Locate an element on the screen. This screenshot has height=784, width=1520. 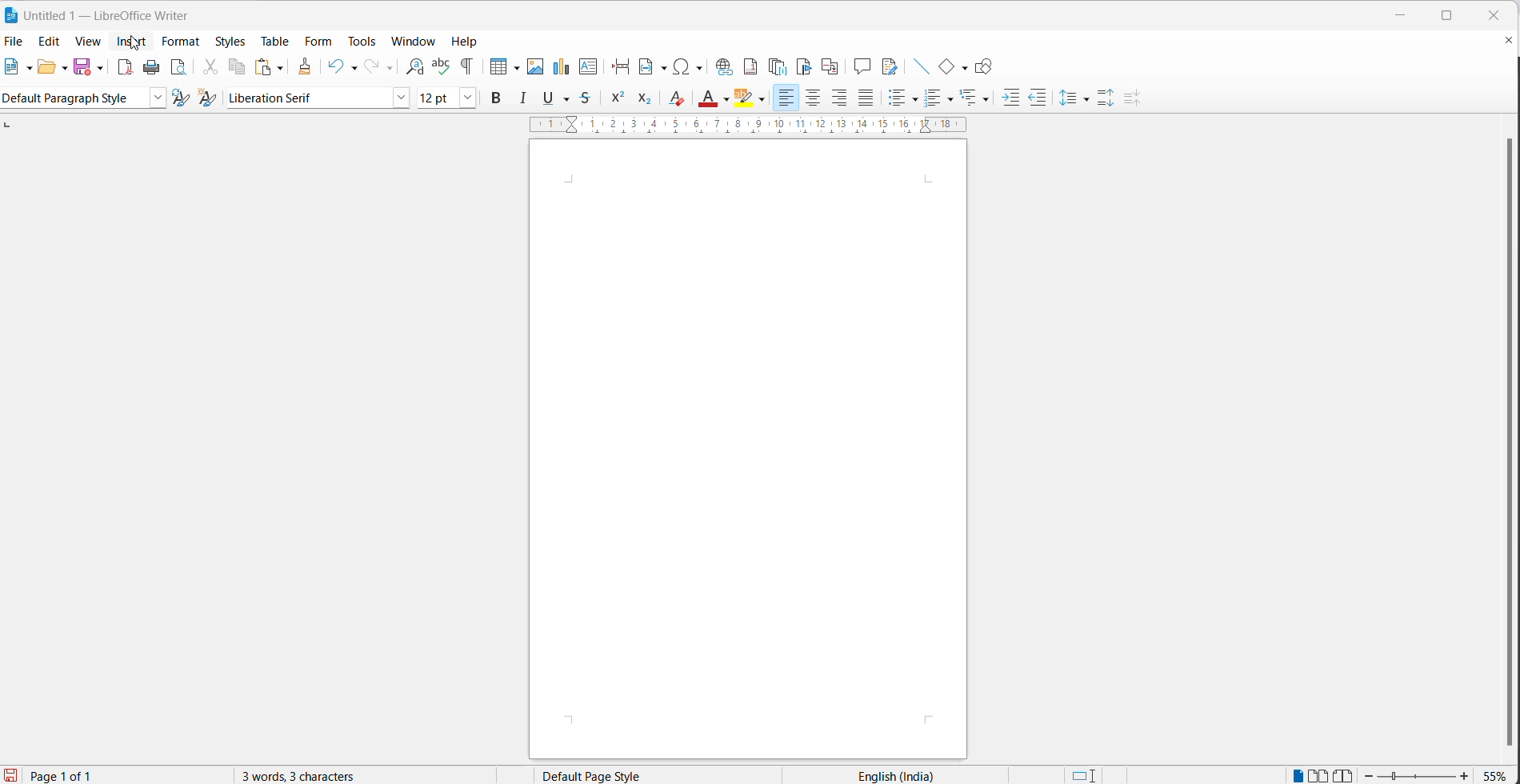
strikethrough is located at coordinates (590, 98).